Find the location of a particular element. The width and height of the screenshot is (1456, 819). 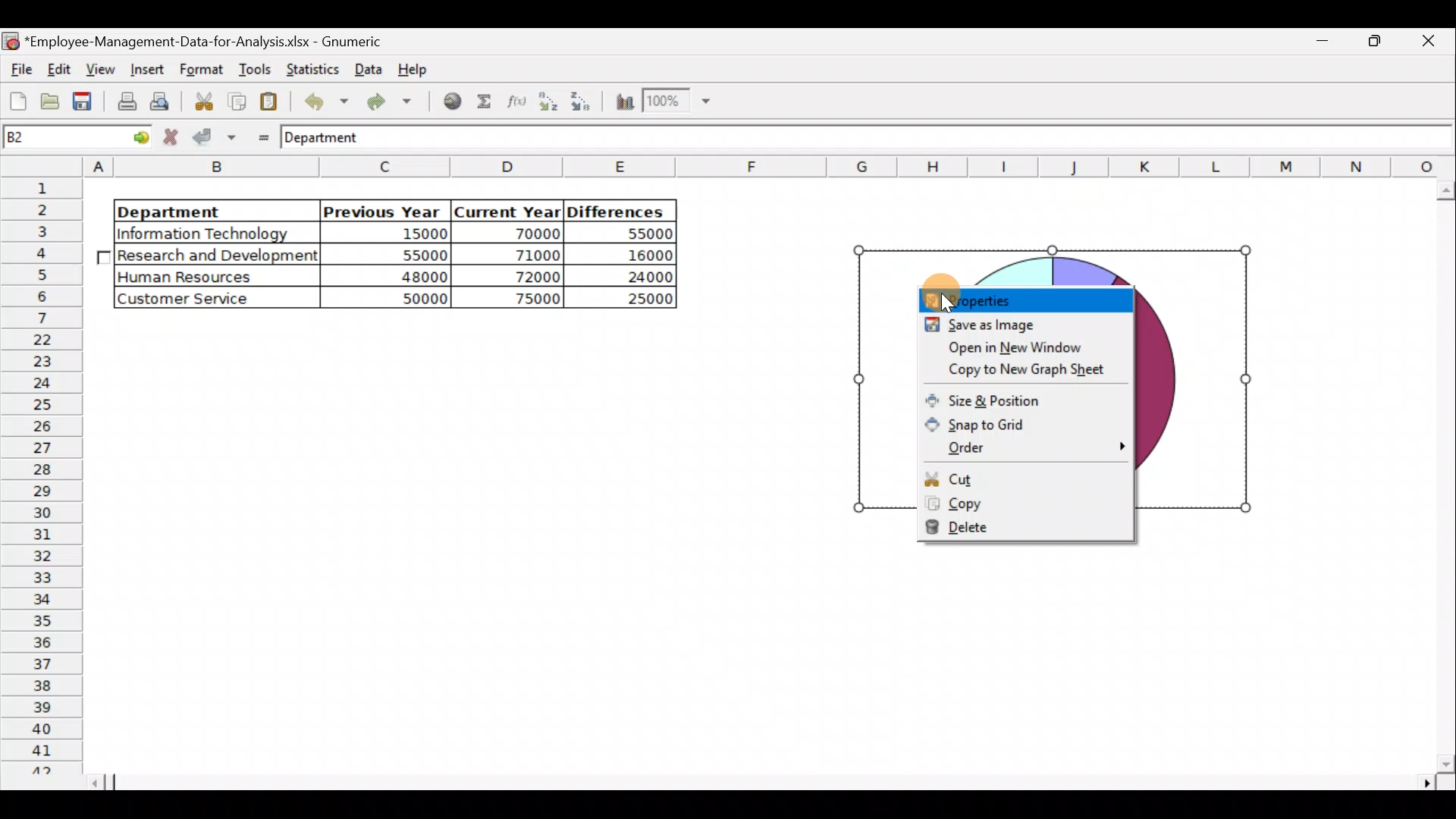

Sort in descending order is located at coordinates (582, 102).